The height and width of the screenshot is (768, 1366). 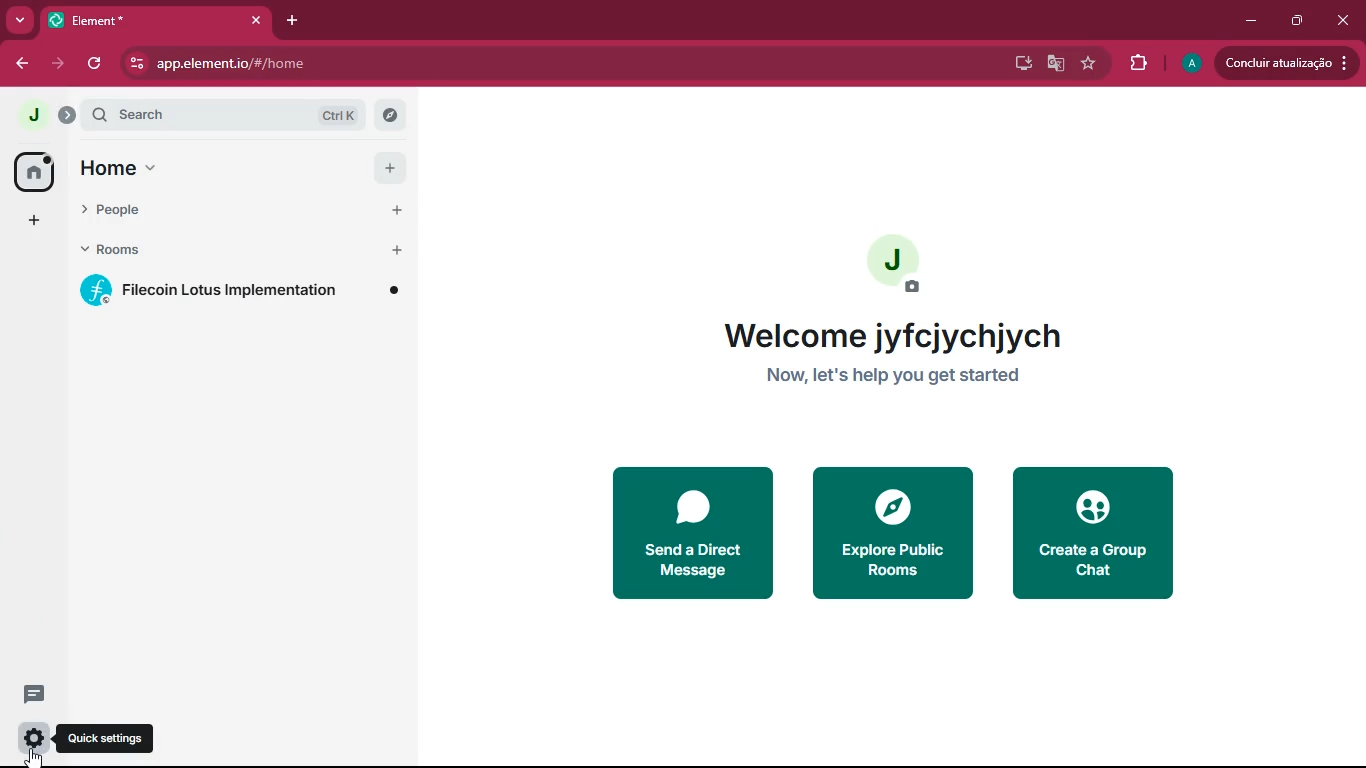 What do you see at coordinates (1249, 20) in the screenshot?
I see `minimize` at bounding box center [1249, 20].